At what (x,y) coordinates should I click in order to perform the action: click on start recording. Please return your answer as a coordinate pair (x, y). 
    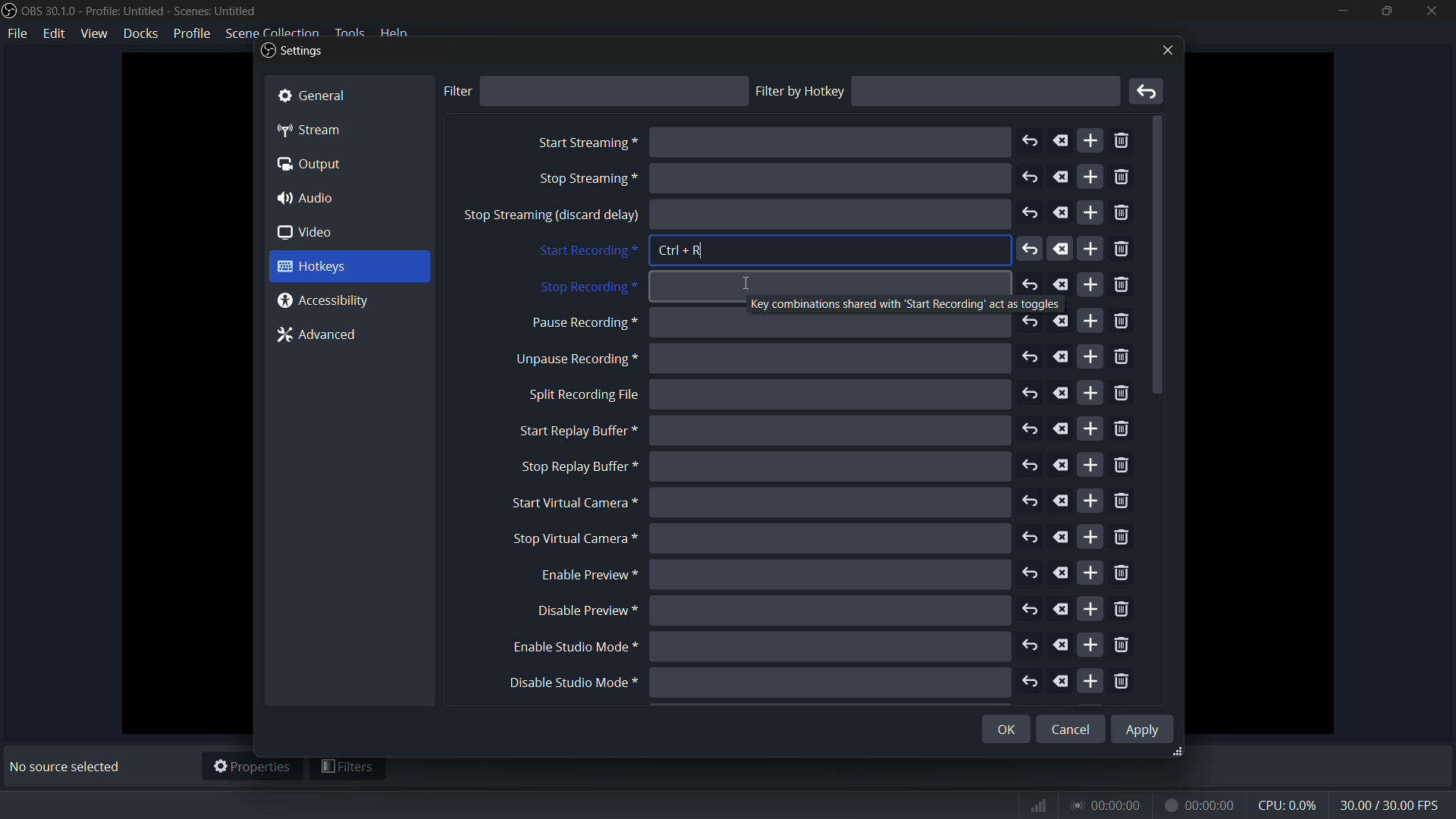
    Looking at the image, I should click on (585, 252).